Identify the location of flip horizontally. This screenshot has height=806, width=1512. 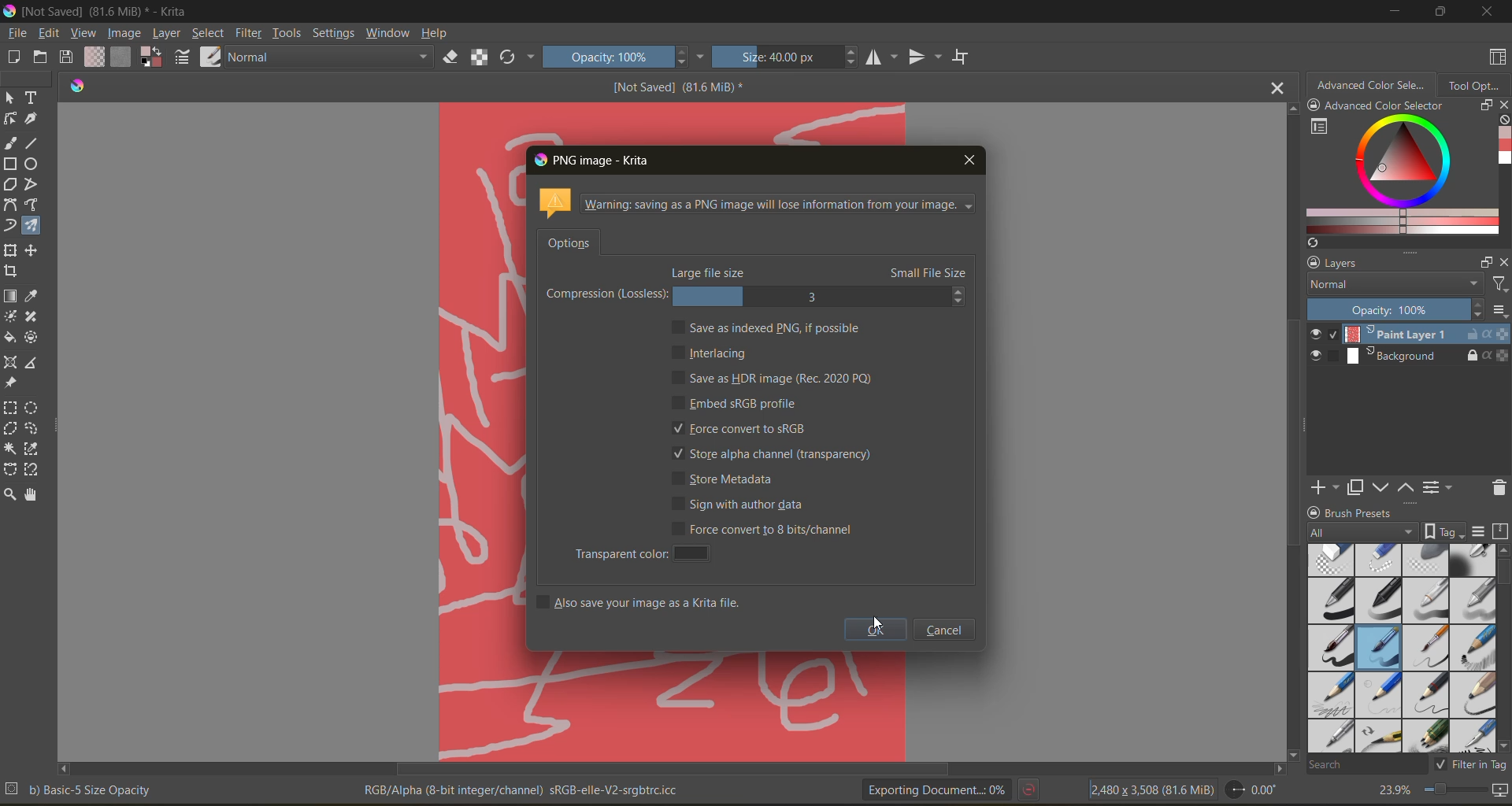
(879, 57).